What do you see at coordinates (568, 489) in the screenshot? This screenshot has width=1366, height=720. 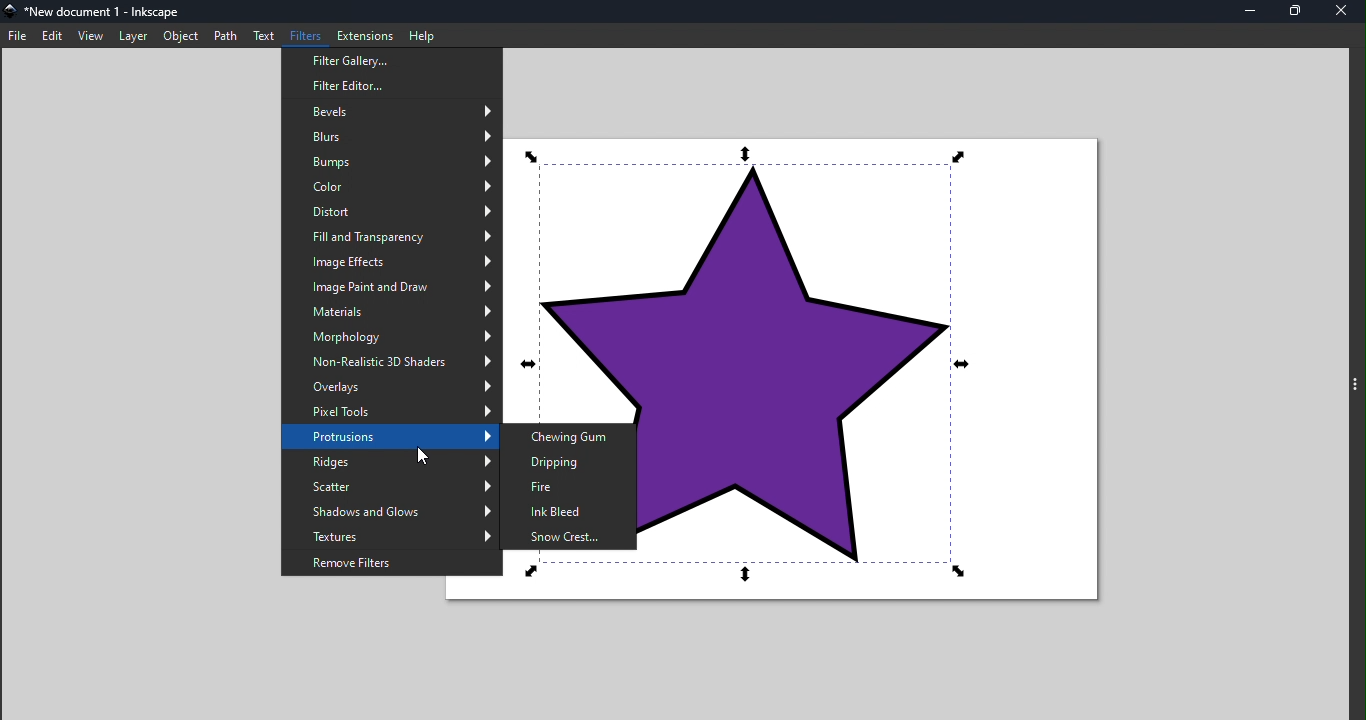 I see `Fire` at bounding box center [568, 489].